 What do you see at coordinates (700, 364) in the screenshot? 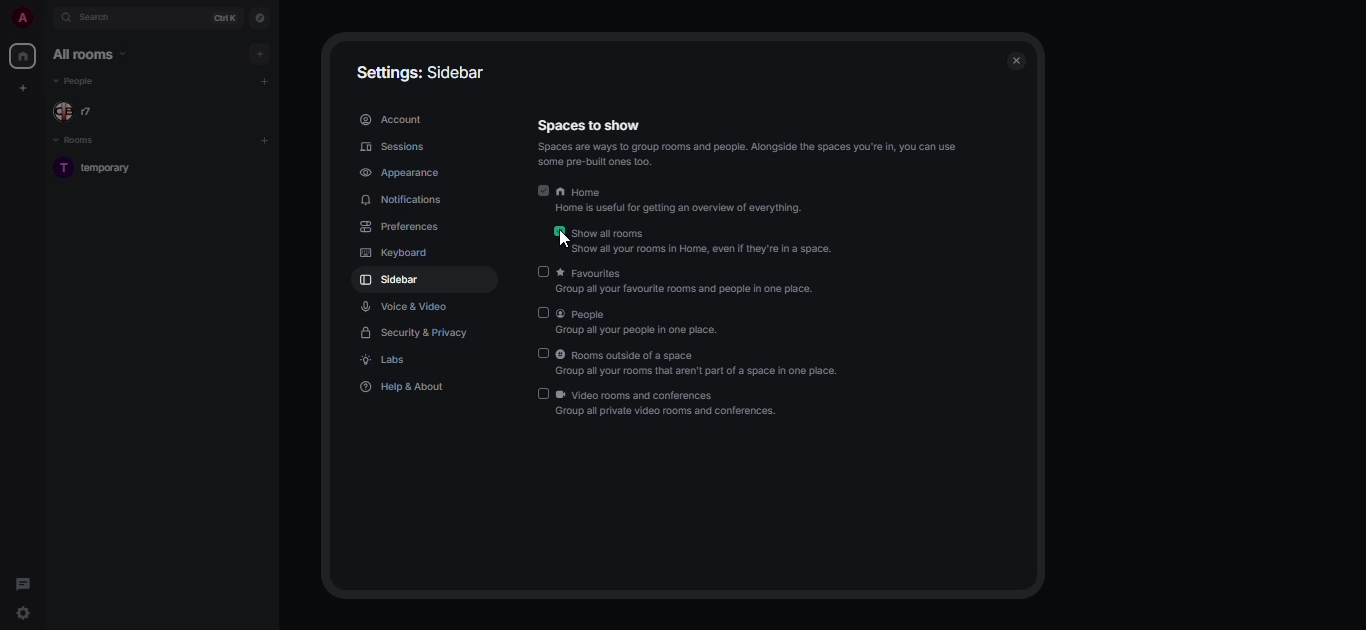
I see `rooms outside of a space` at bounding box center [700, 364].